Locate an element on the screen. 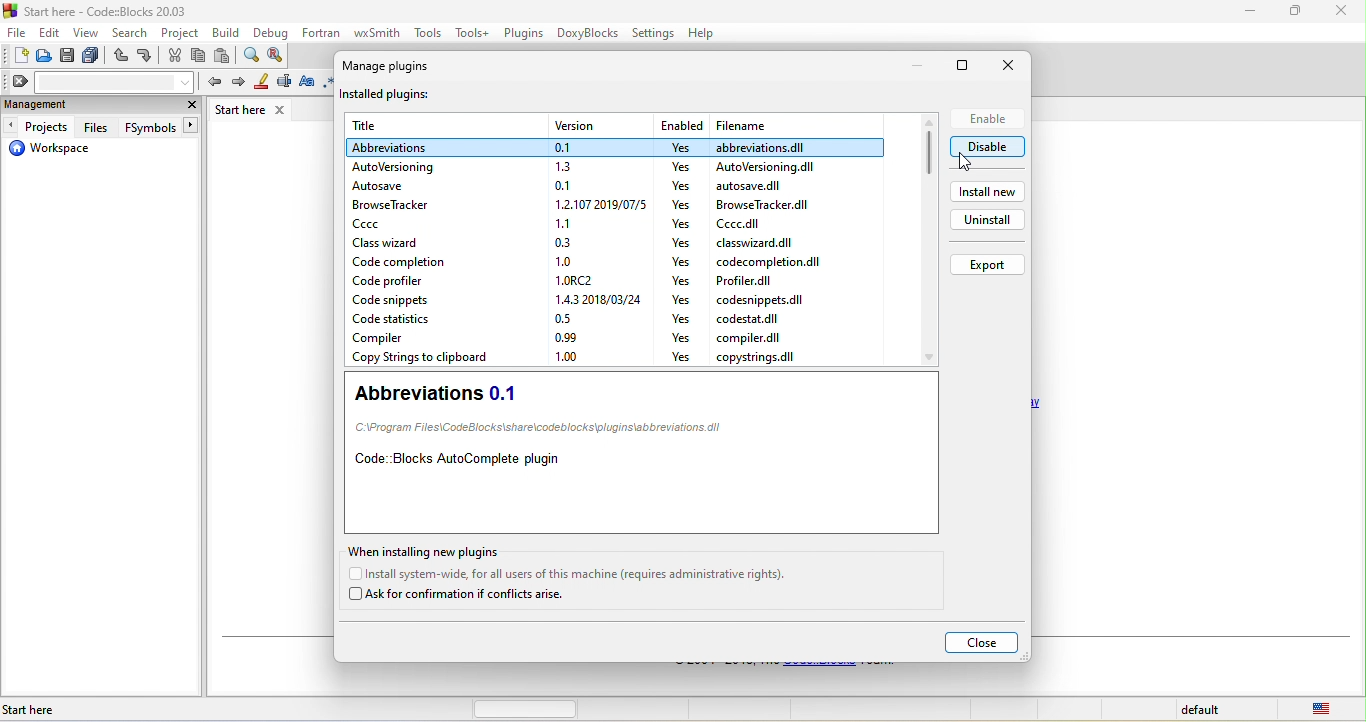 The image size is (1366, 722). copy strings to clipboard is located at coordinates (420, 359).